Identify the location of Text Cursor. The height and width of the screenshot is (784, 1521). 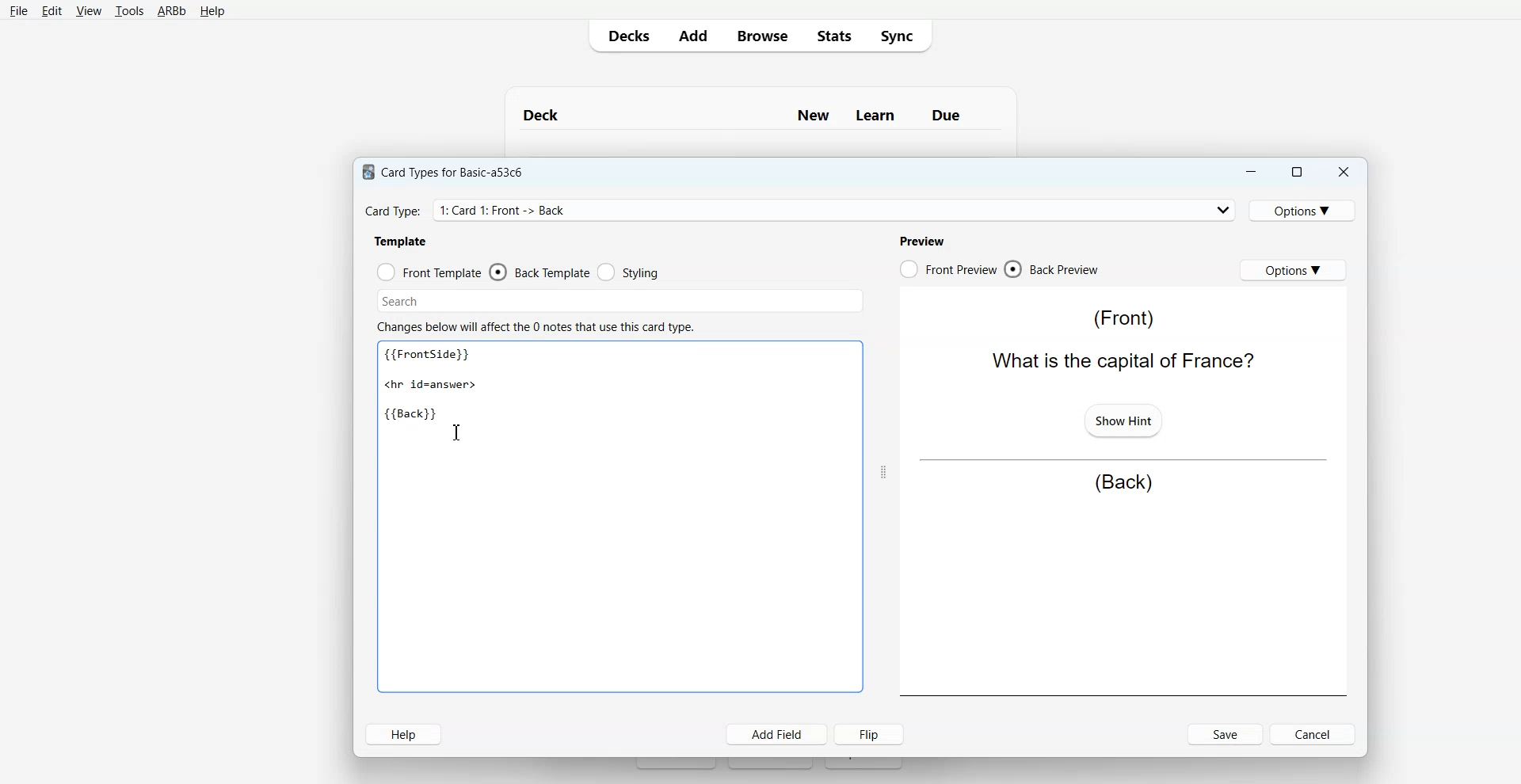
(457, 432).